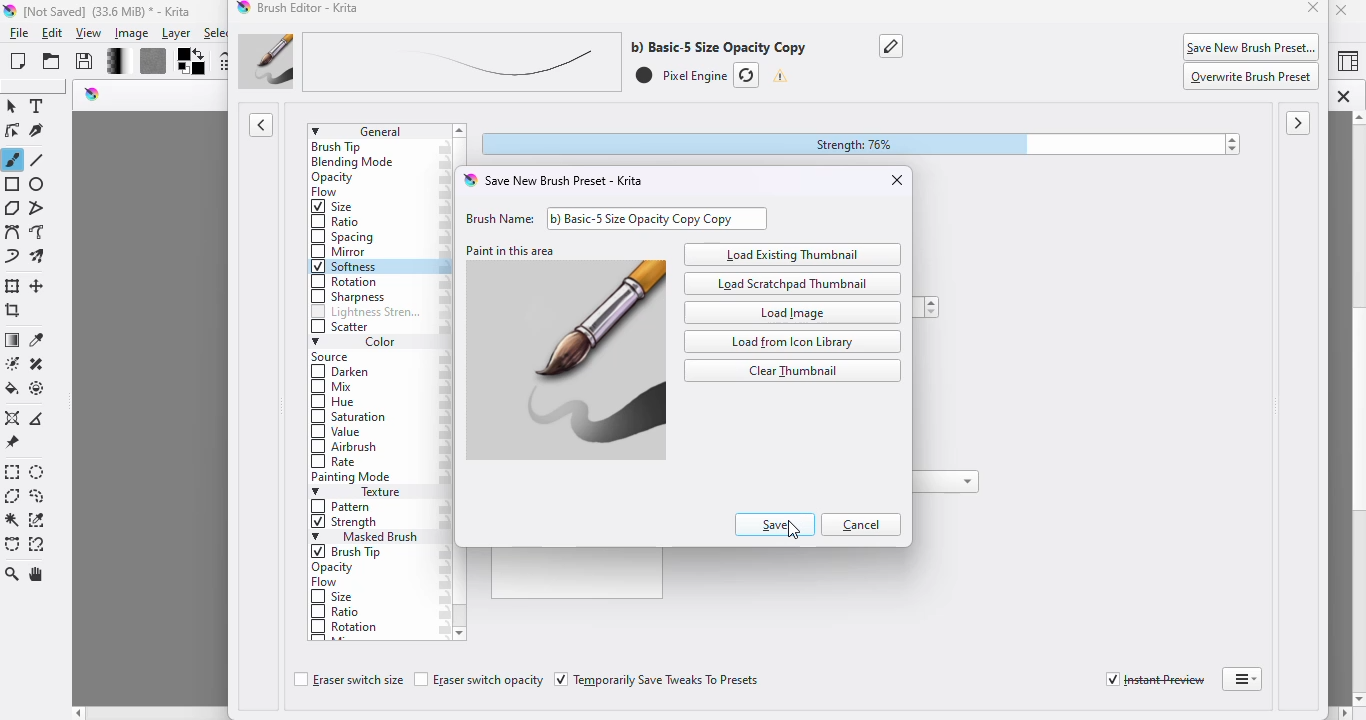 The height and width of the screenshot is (720, 1366). Describe the element at coordinates (11, 363) in the screenshot. I see `colorize mask tool` at that location.